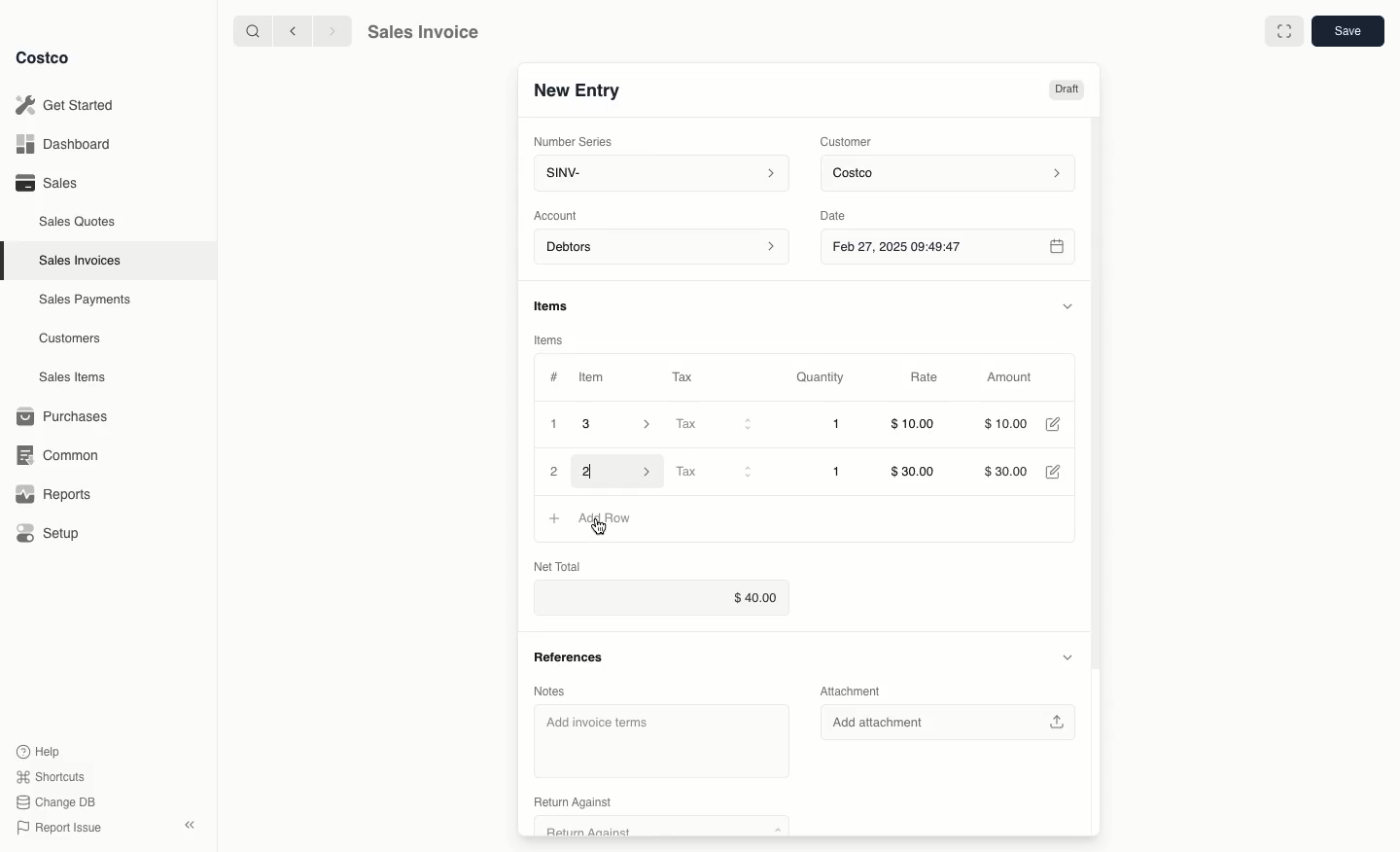 Image resolution: width=1400 pixels, height=852 pixels. What do you see at coordinates (822, 377) in the screenshot?
I see `Quantity` at bounding box center [822, 377].